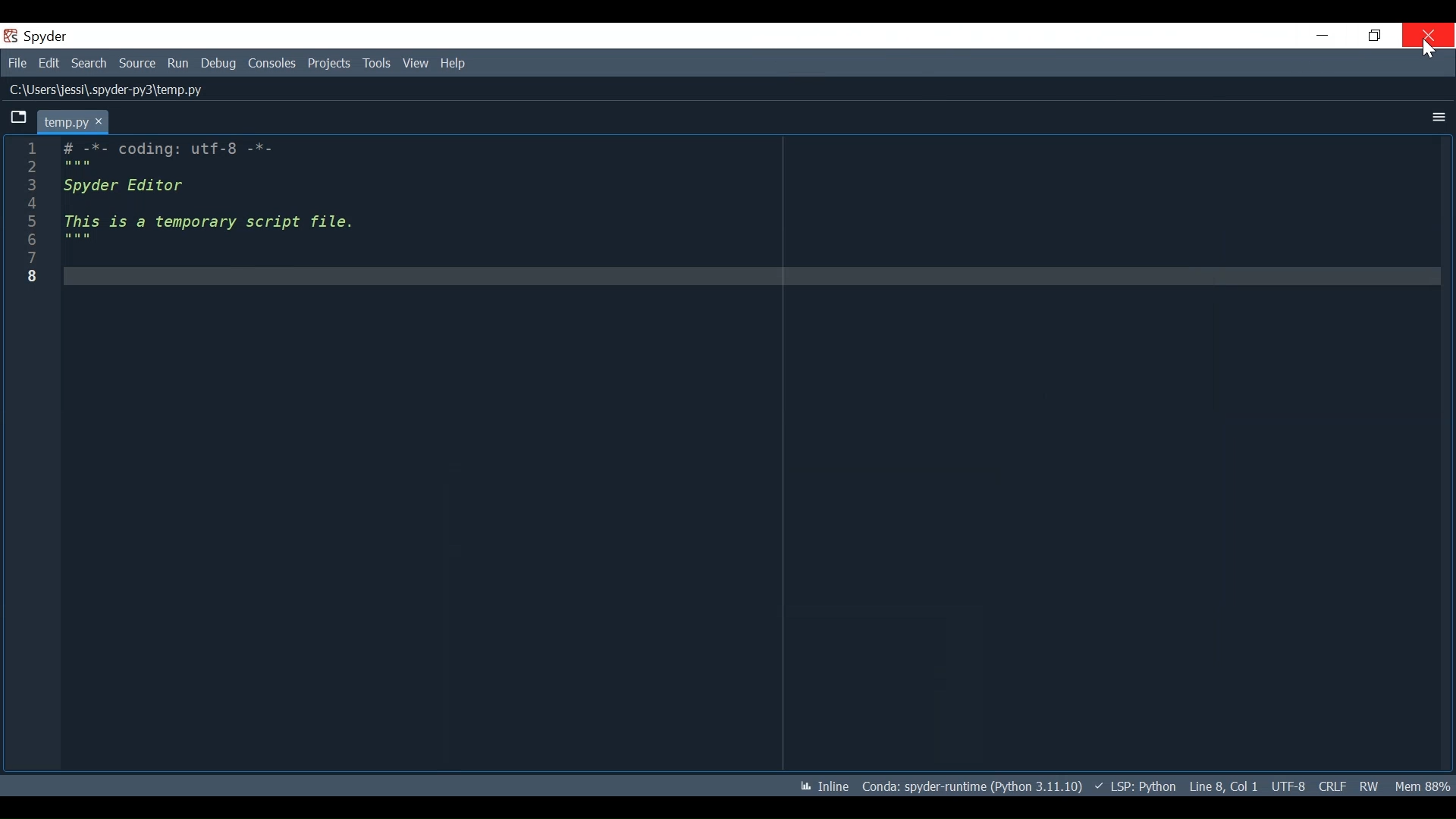  What do you see at coordinates (820, 786) in the screenshot?
I see `Inline ` at bounding box center [820, 786].